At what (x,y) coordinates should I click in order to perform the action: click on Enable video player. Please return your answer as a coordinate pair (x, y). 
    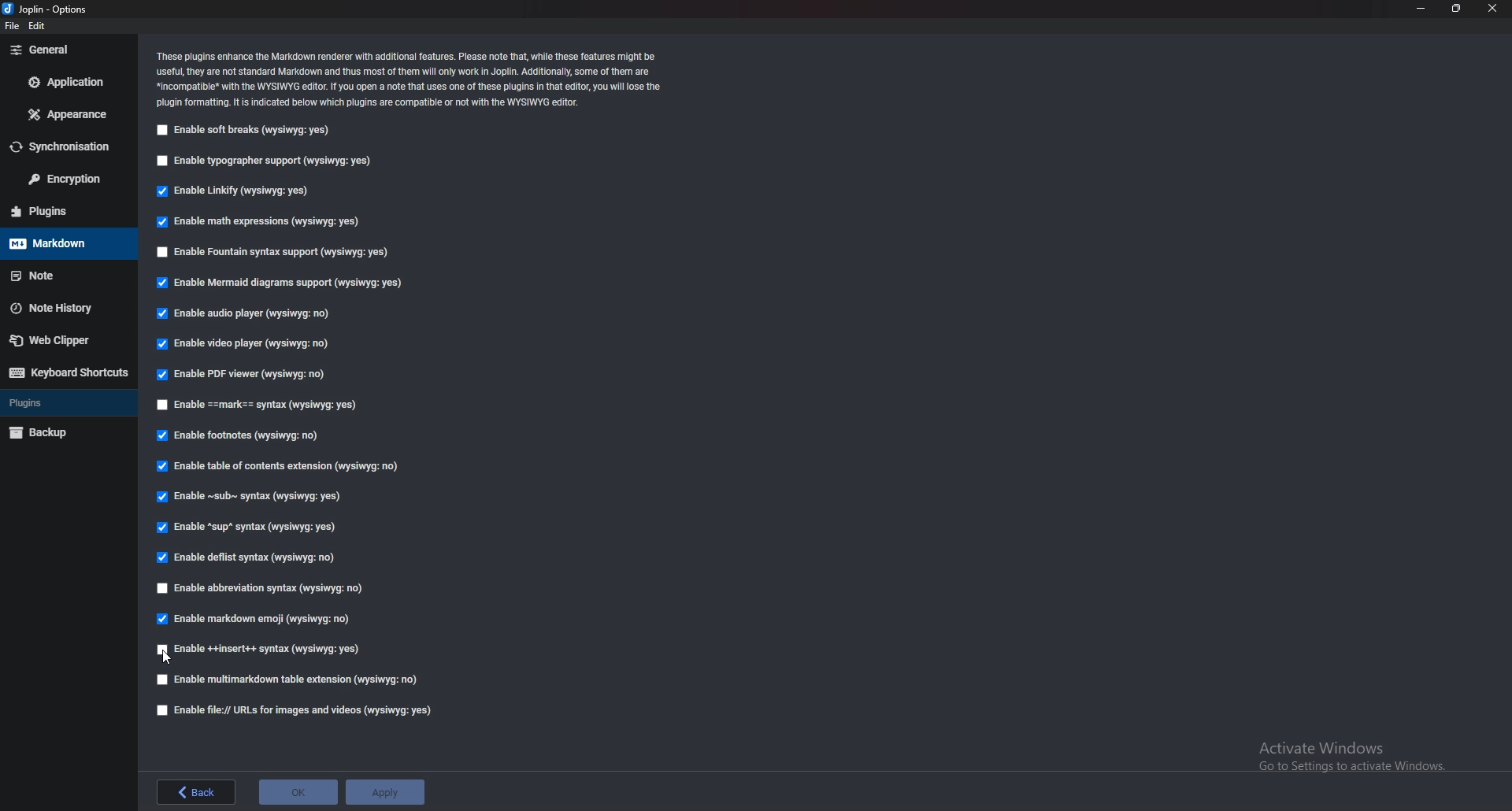
    Looking at the image, I should click on (248, 345).